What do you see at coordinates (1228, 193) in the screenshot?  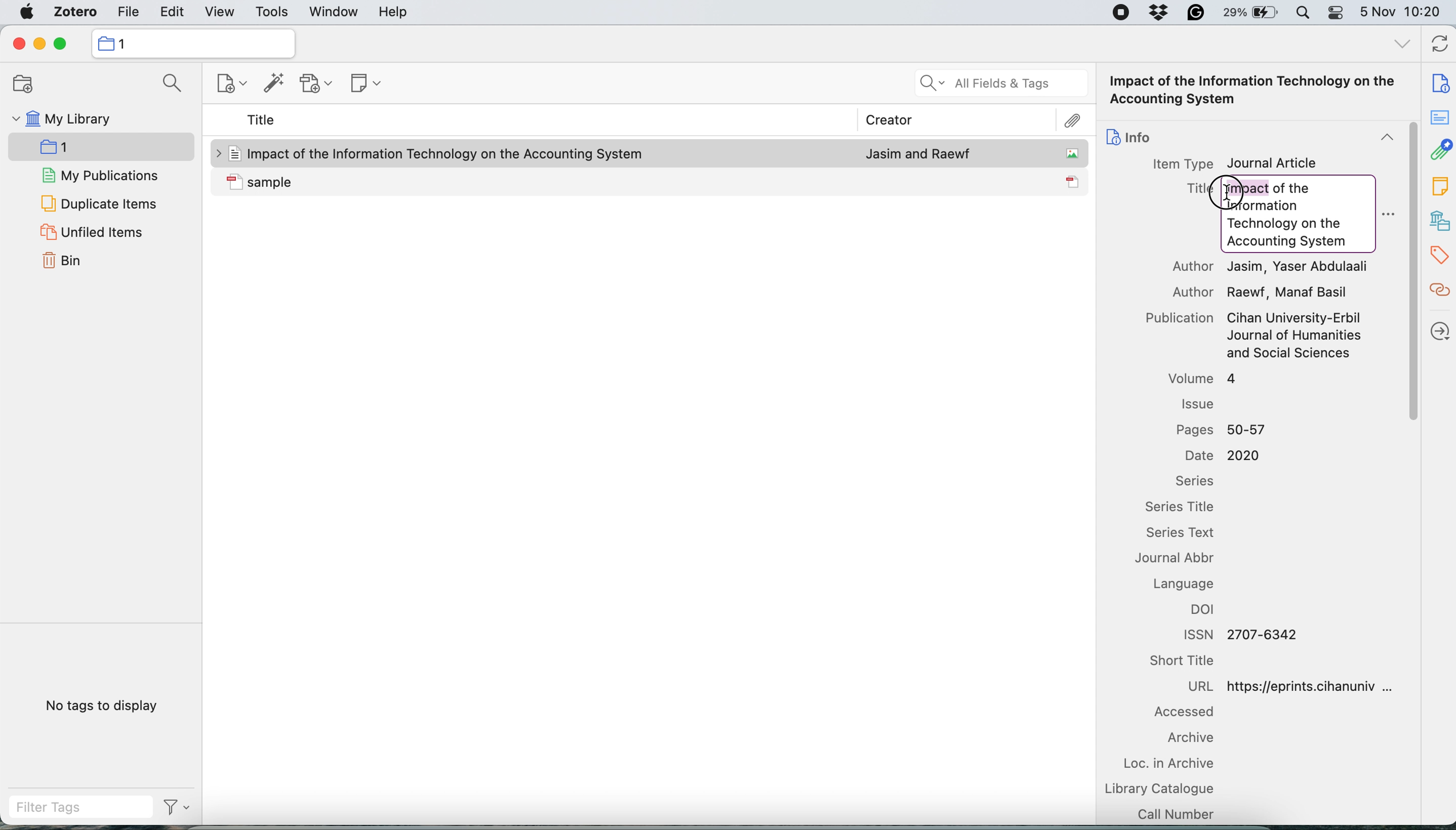 I see `cursor` at bounding box center [1228, 193].